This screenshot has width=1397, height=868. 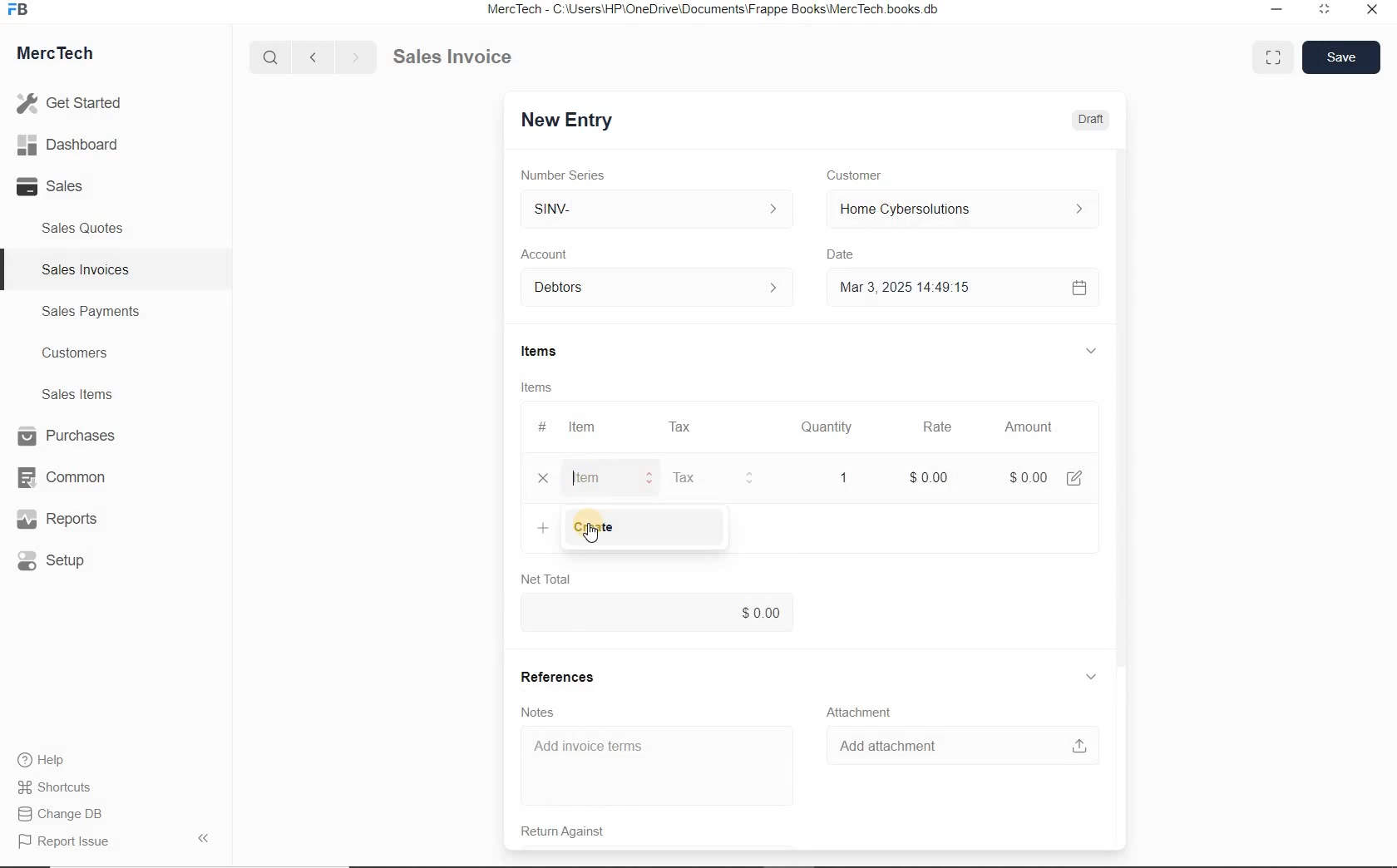 I want to click on Add invoice terms, so click(x=660, y=767).